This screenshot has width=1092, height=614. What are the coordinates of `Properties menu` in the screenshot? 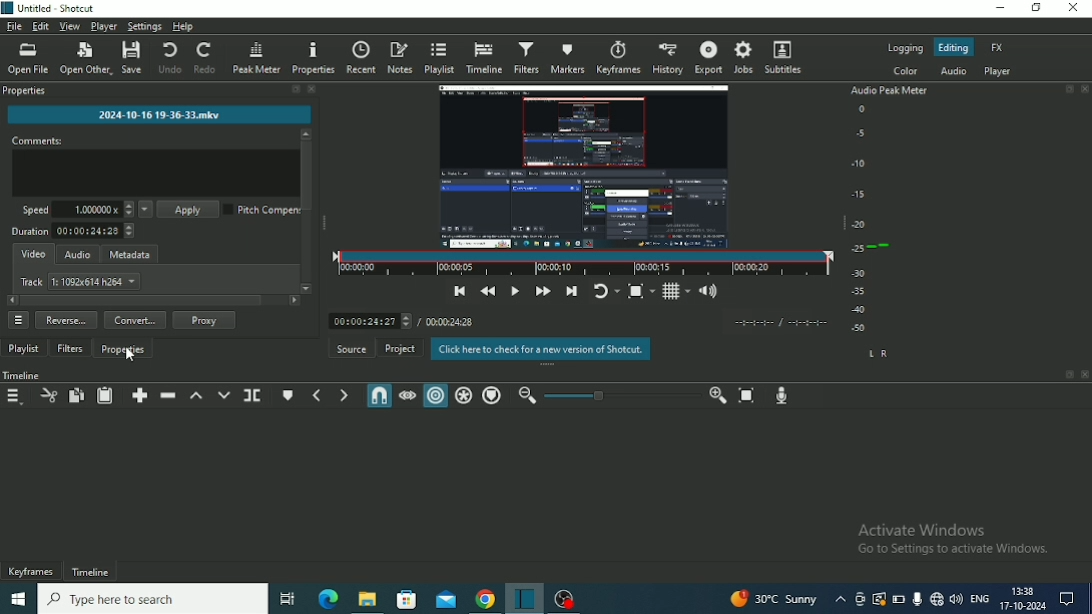 It's located at (16, 320).